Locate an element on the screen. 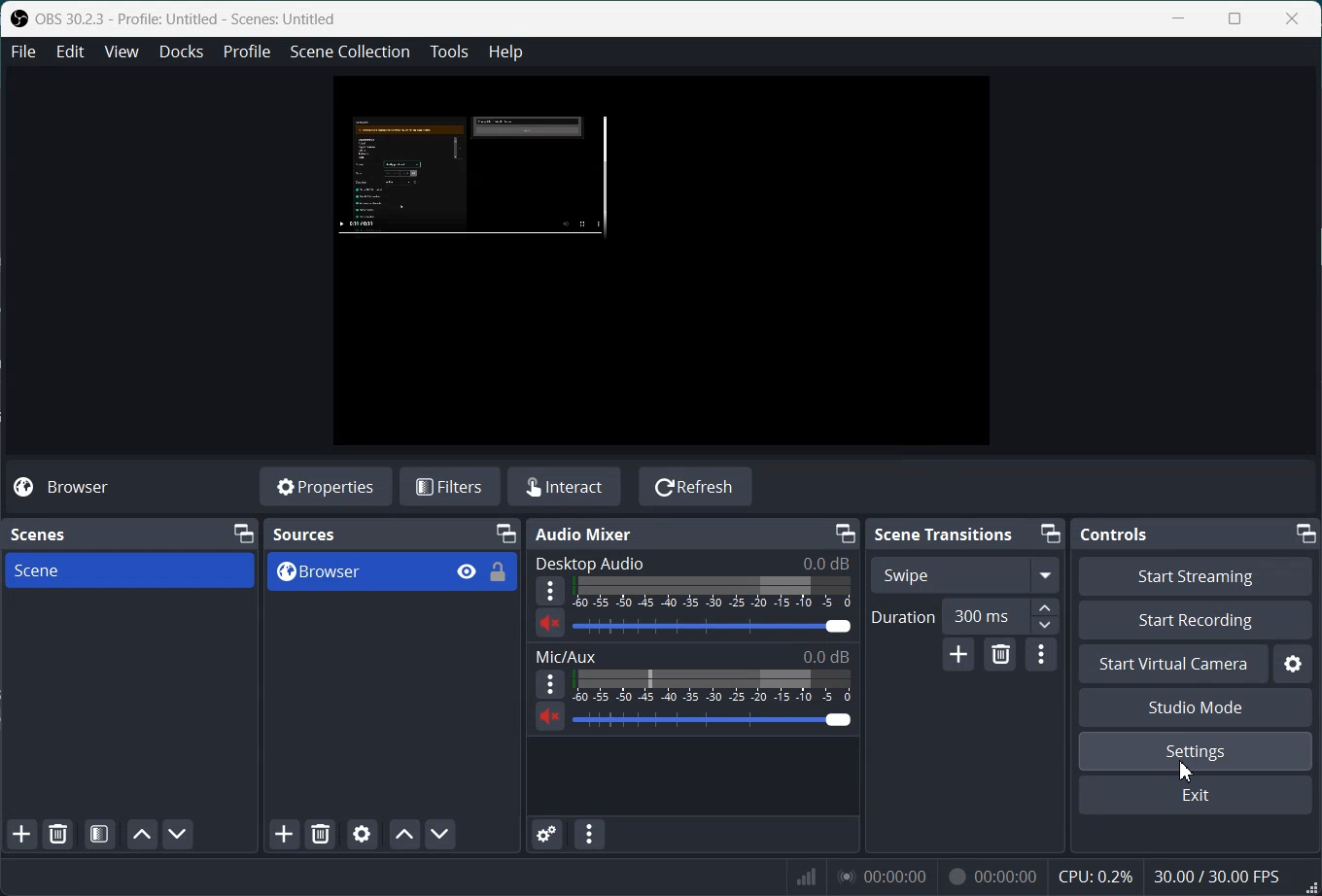  Edit is located at coordinates (71, 51).